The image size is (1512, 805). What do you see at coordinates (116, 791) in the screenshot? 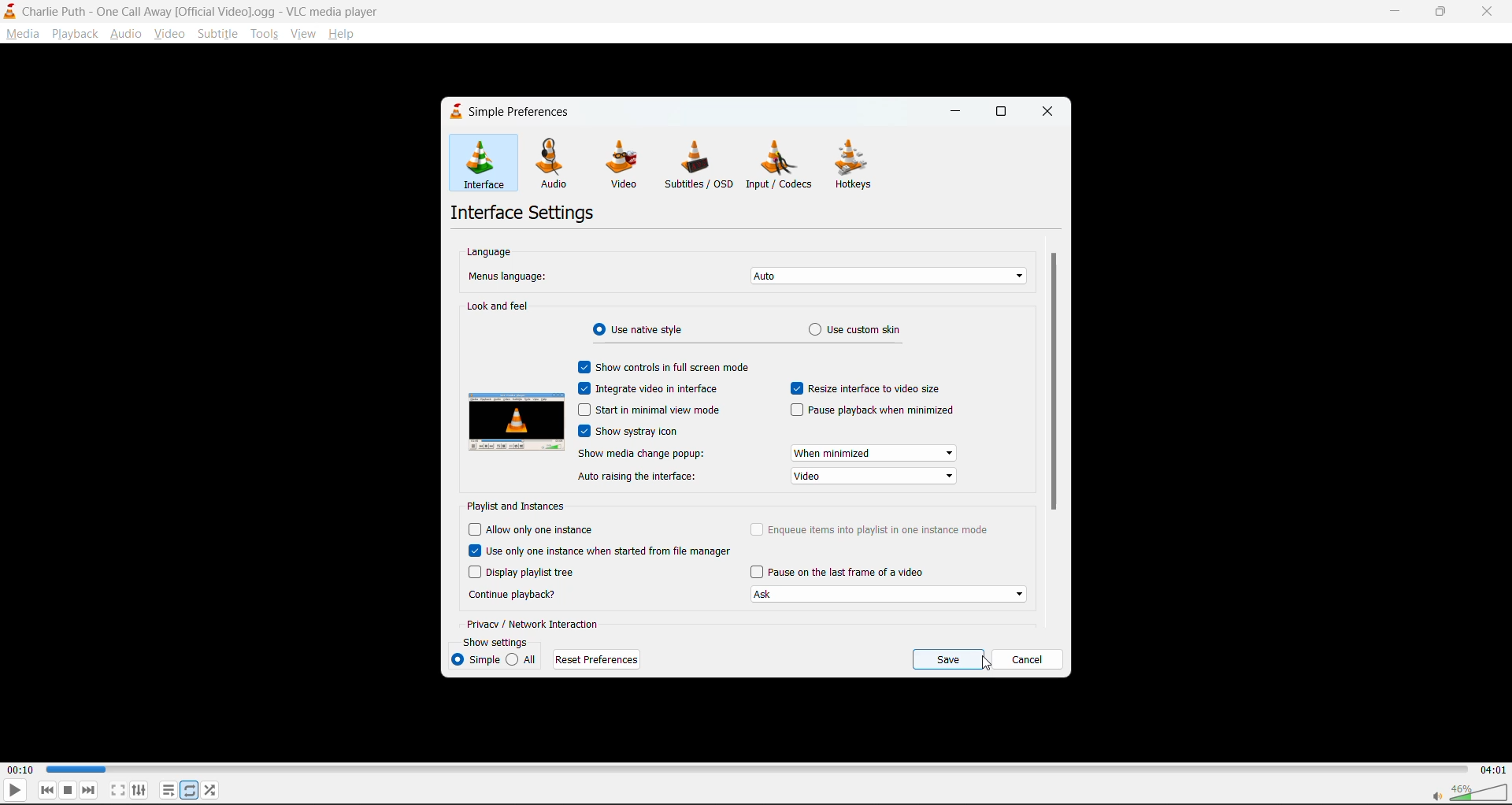
I see `fullscreen` at bounding box center [116, 791].